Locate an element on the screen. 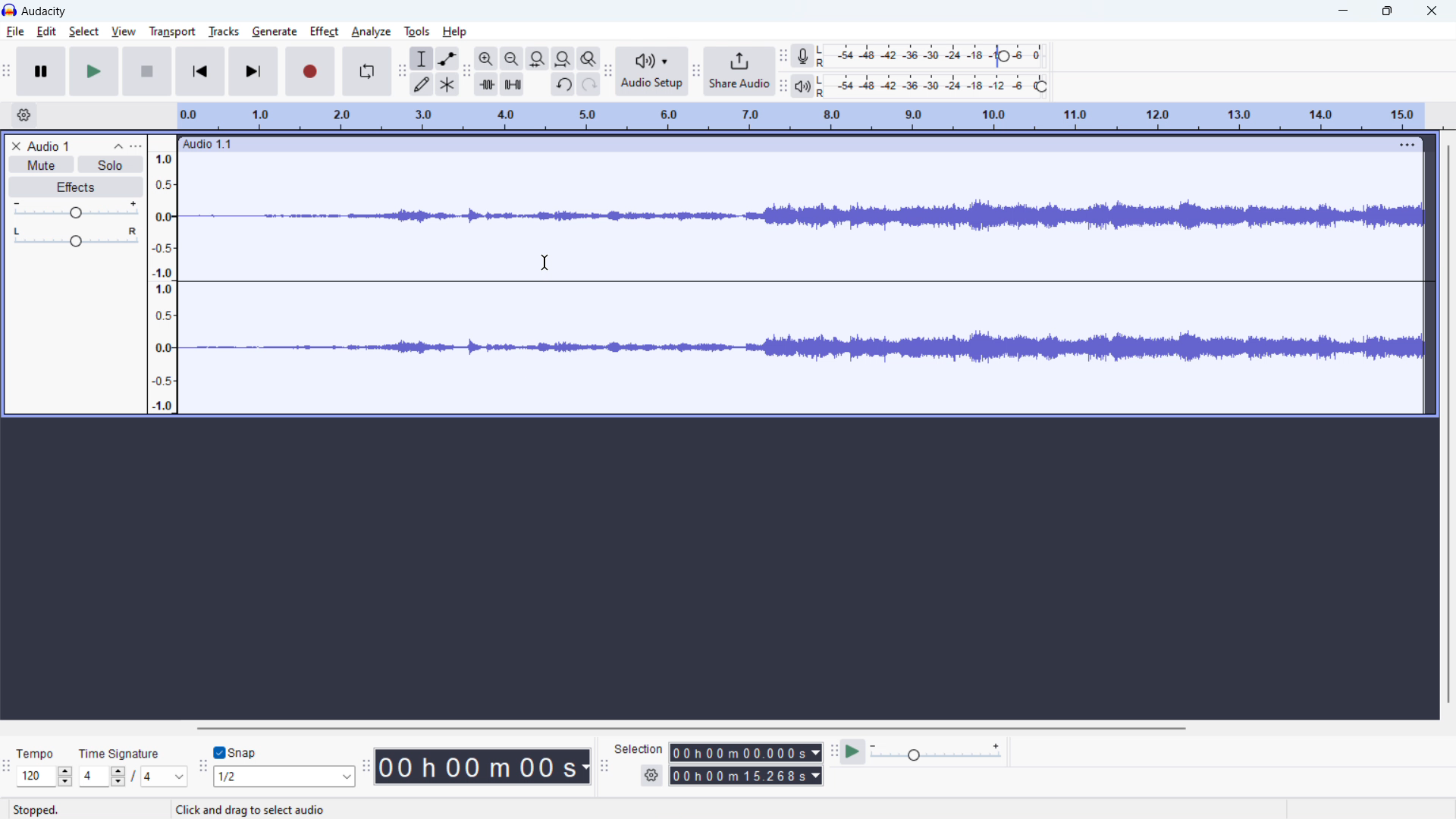 The width and height of the screenshot is (1456, 819). time signature toolbar is located at coordinates (8, 766).